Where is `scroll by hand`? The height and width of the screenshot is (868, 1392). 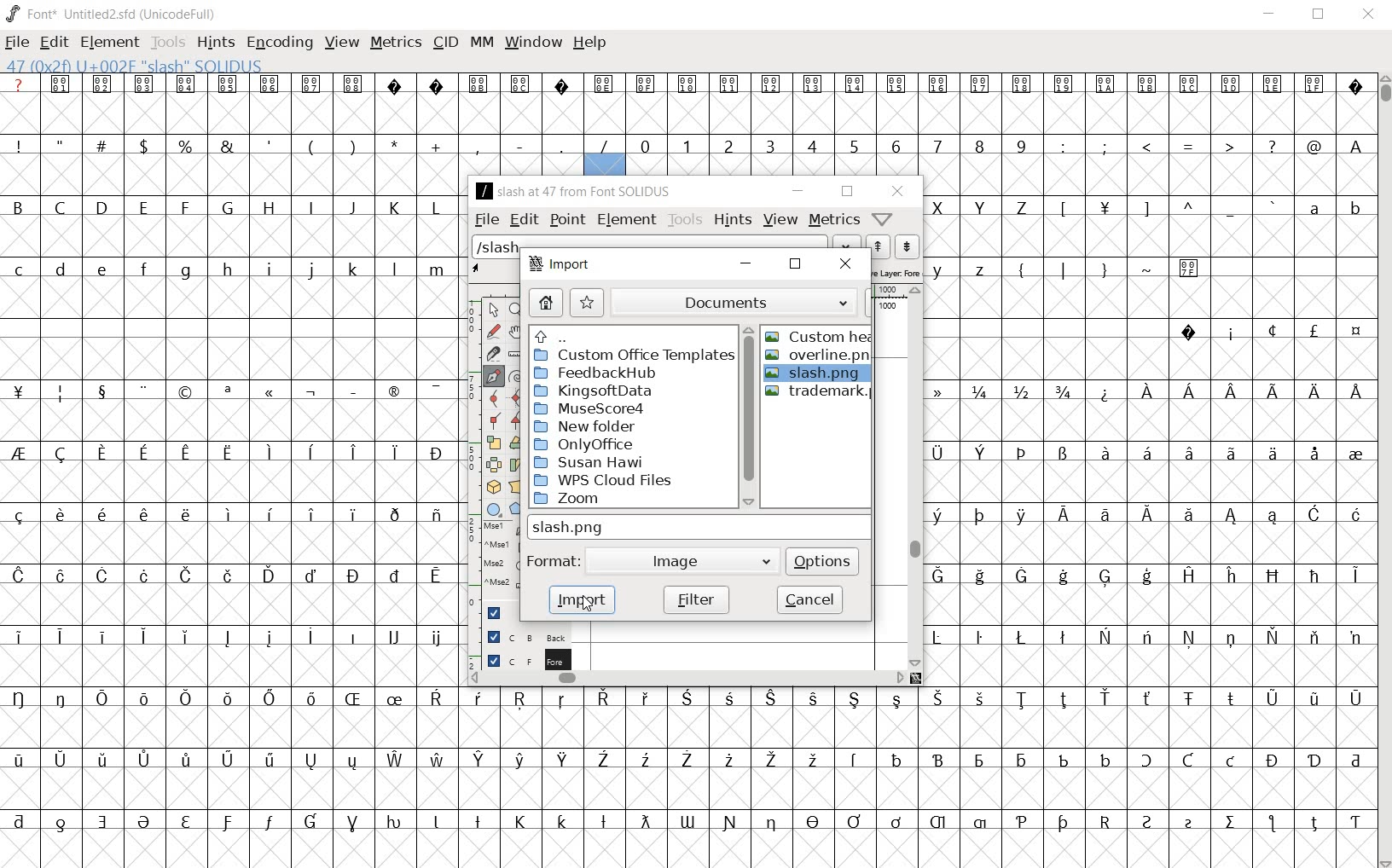
scroll by hand is located at coordinates (514, 333).